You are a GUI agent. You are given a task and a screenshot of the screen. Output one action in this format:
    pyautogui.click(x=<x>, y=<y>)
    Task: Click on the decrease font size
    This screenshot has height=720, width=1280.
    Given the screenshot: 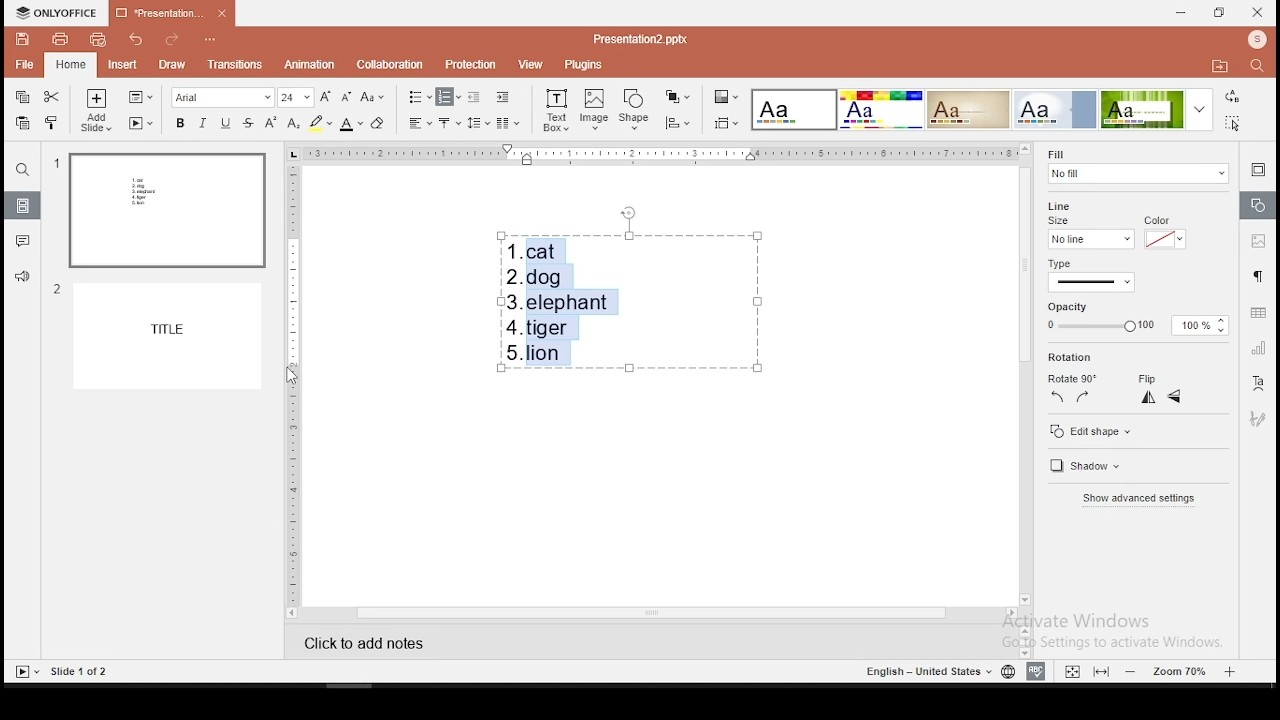 What is the action you would take?
    pyautogui.click(x=348, y=97)
    